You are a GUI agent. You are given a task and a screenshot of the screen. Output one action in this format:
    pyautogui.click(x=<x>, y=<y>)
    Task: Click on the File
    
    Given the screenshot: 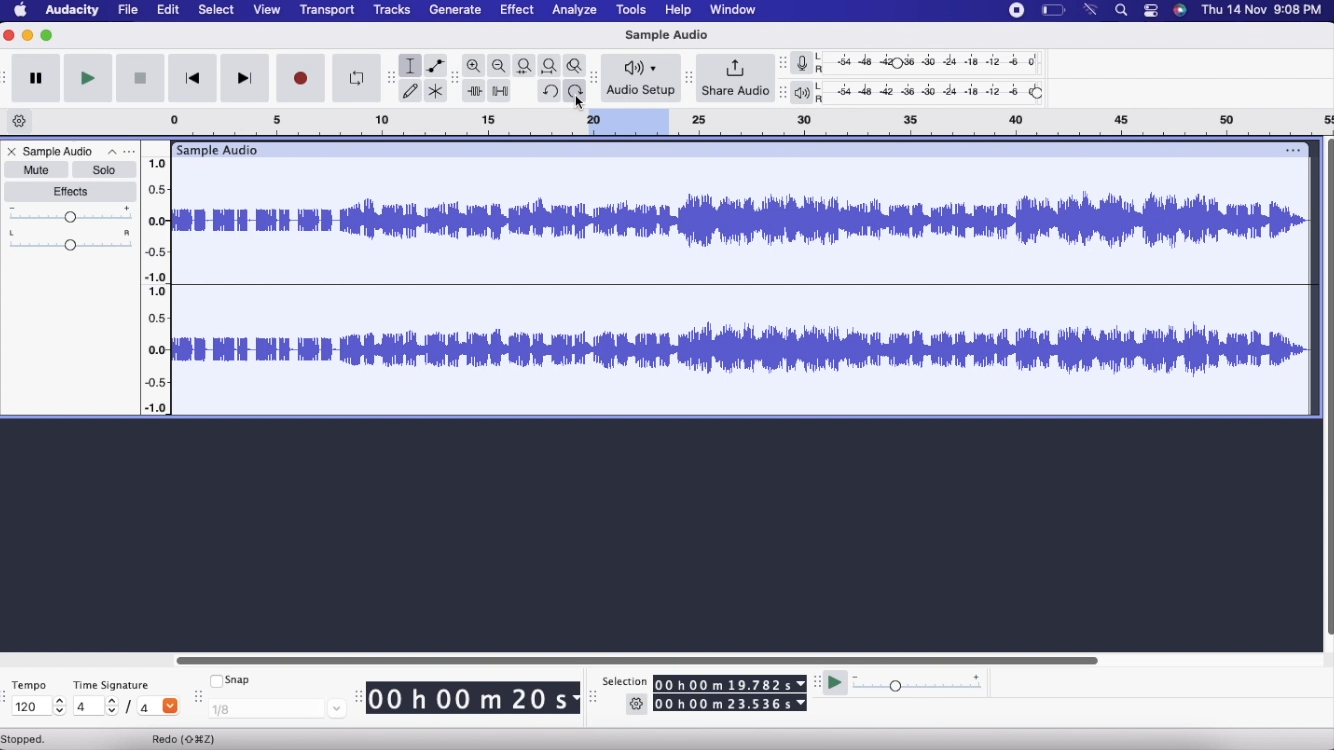 What is the action you would take?
    pyautogui.click(x=127, y=10)
    